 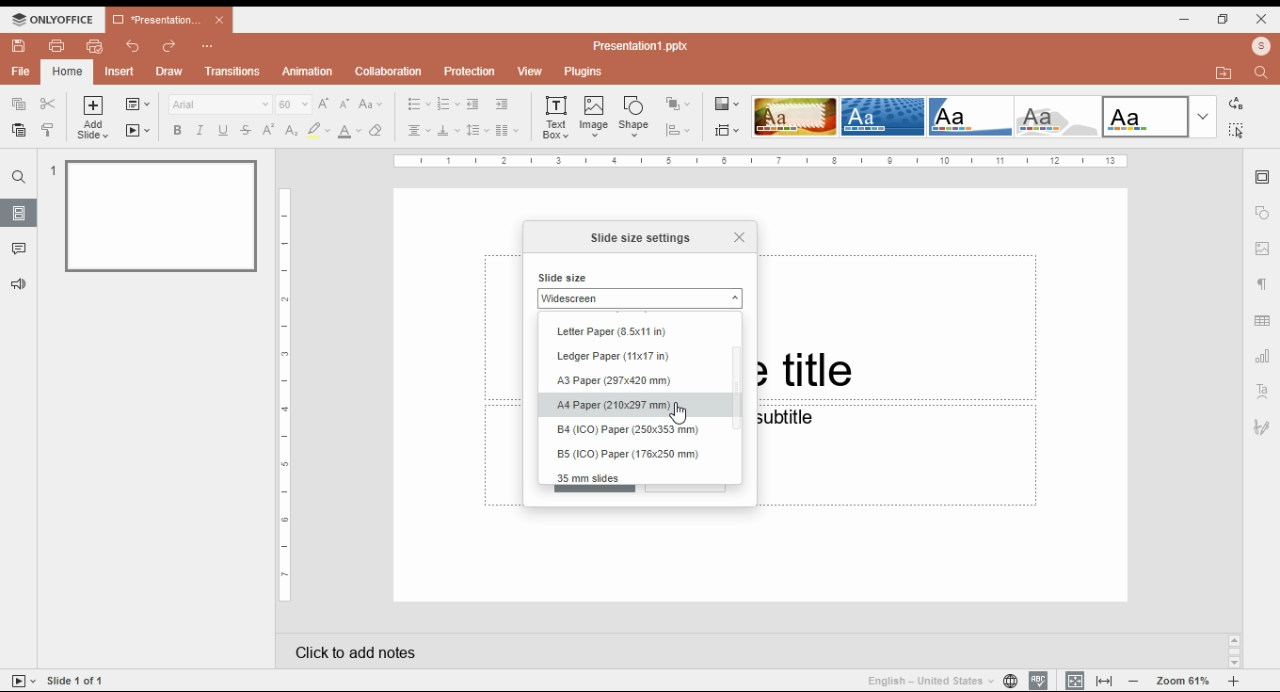 What do you see at coordinates (171, 71) in the screenshot?
I see `draw` at bounding box center [171, 71].